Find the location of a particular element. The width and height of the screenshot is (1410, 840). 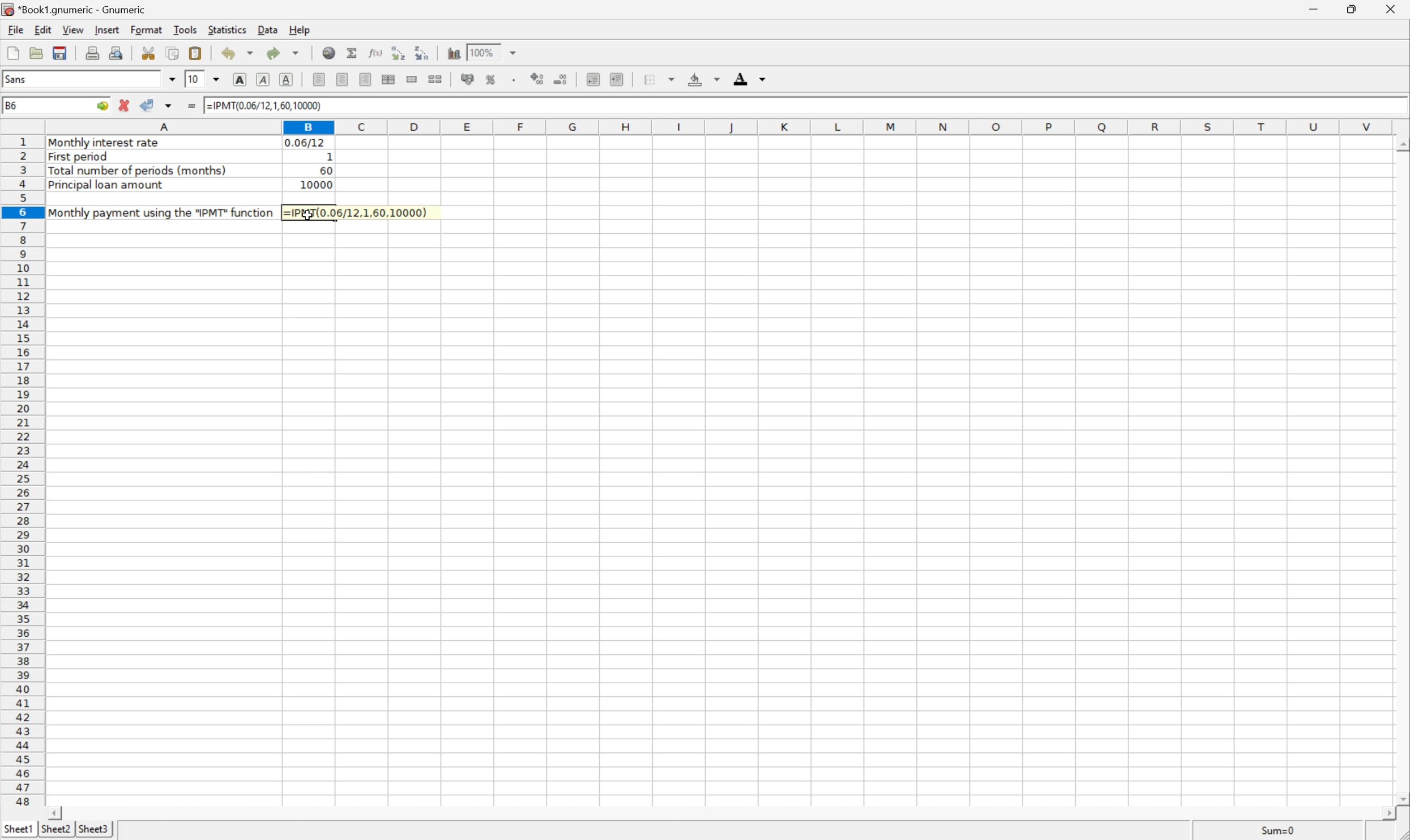

Print current file is located at coordinates (95, 52).